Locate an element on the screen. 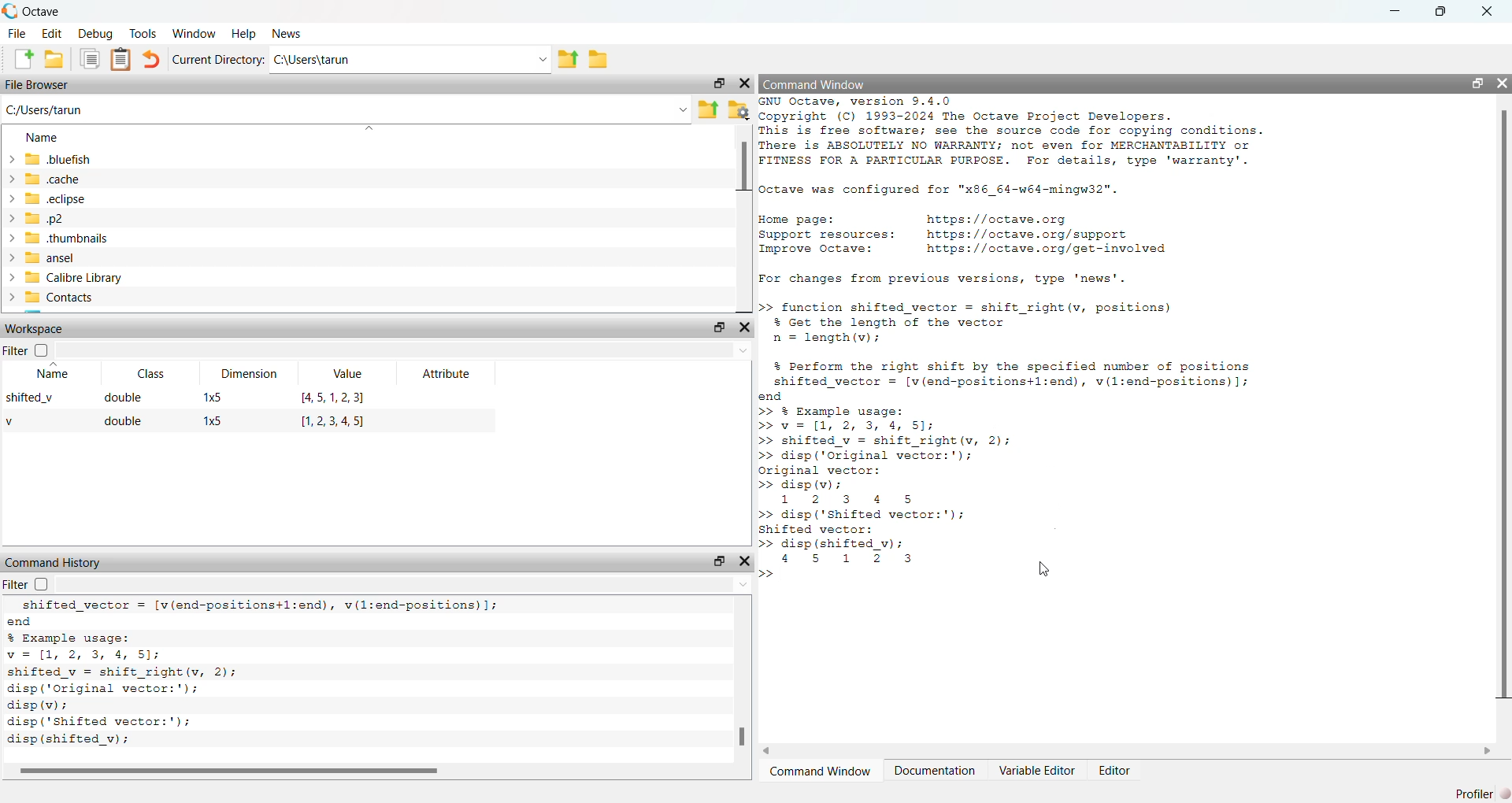  open an existing file in editor is located at coordinates (58, 61).